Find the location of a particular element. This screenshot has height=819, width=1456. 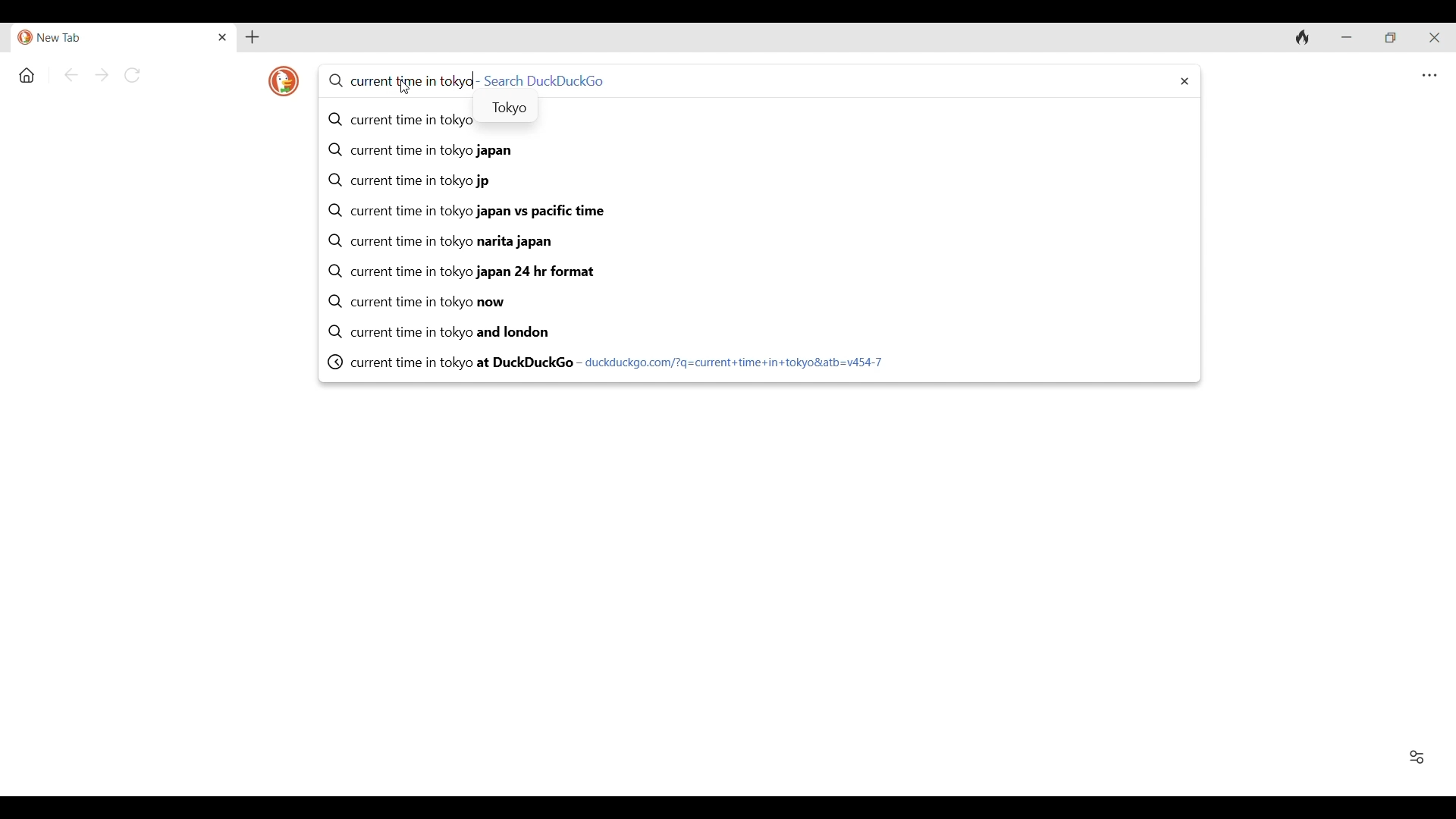

current time in tokyo jp is located at coordinates (408, 180).